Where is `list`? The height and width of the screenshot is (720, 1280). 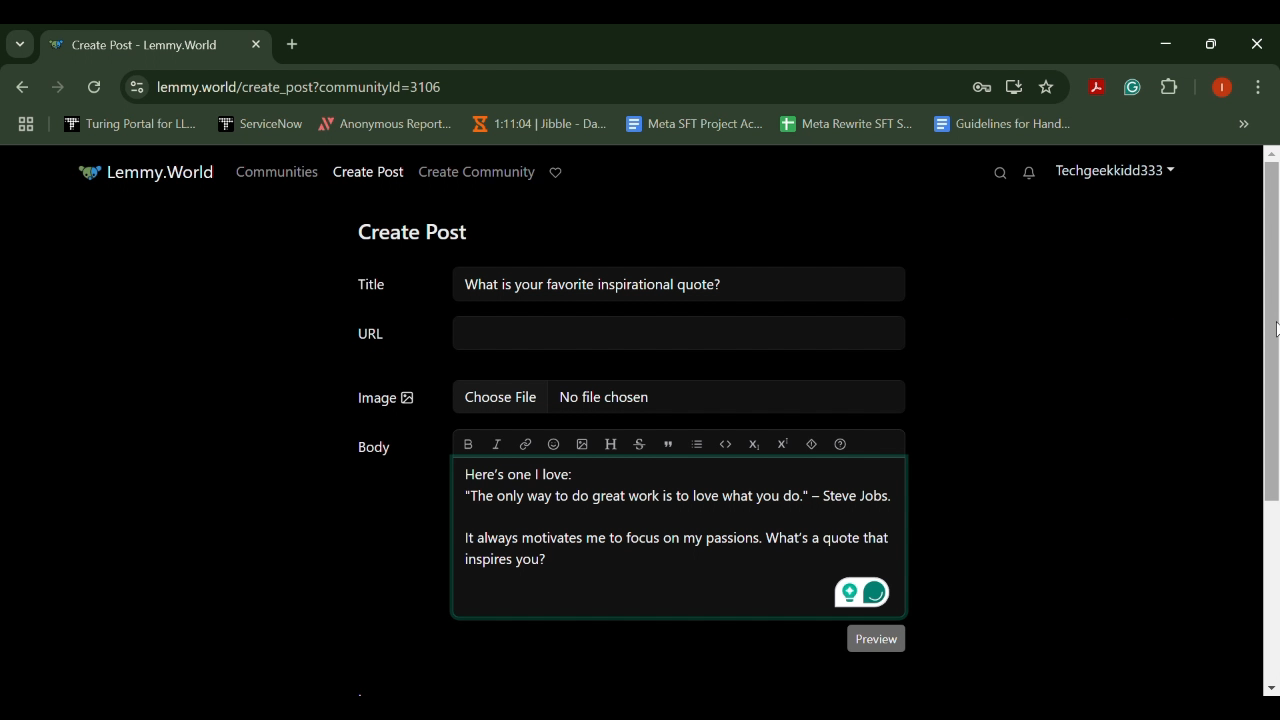 list is located at coordinates (698, 443).